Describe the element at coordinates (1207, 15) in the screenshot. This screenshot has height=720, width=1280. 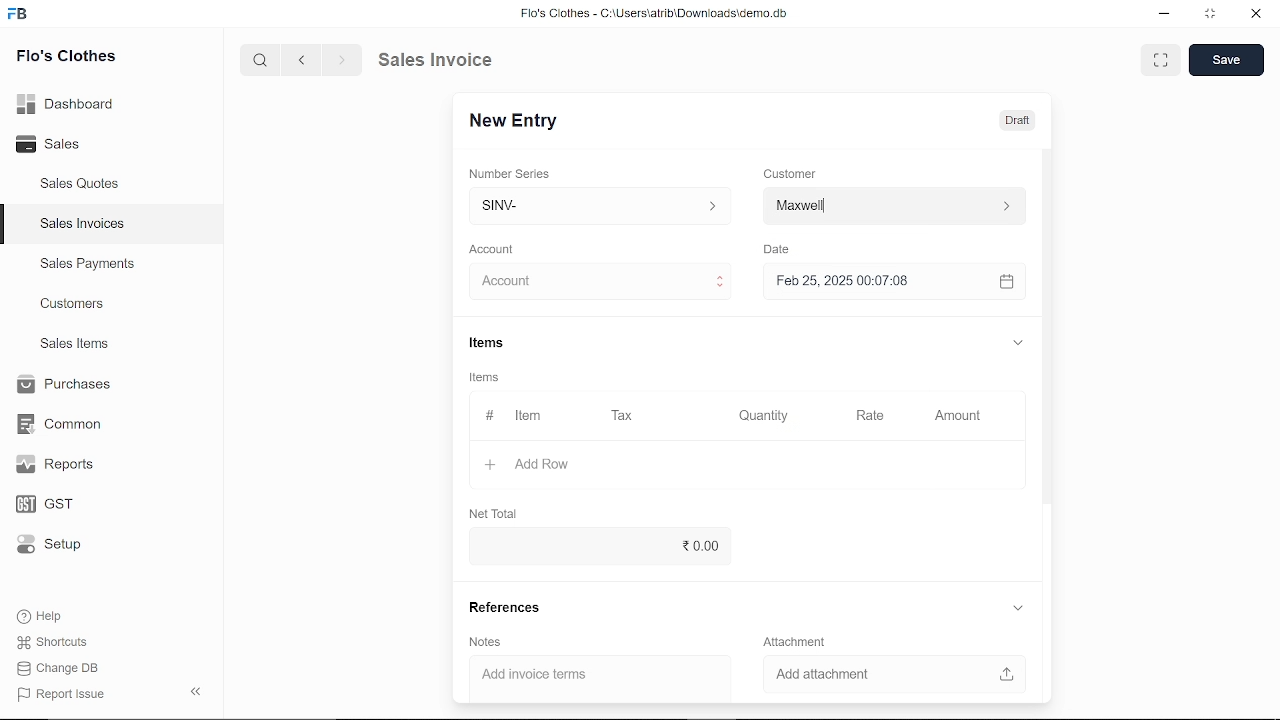
I see `restore down` at that location.